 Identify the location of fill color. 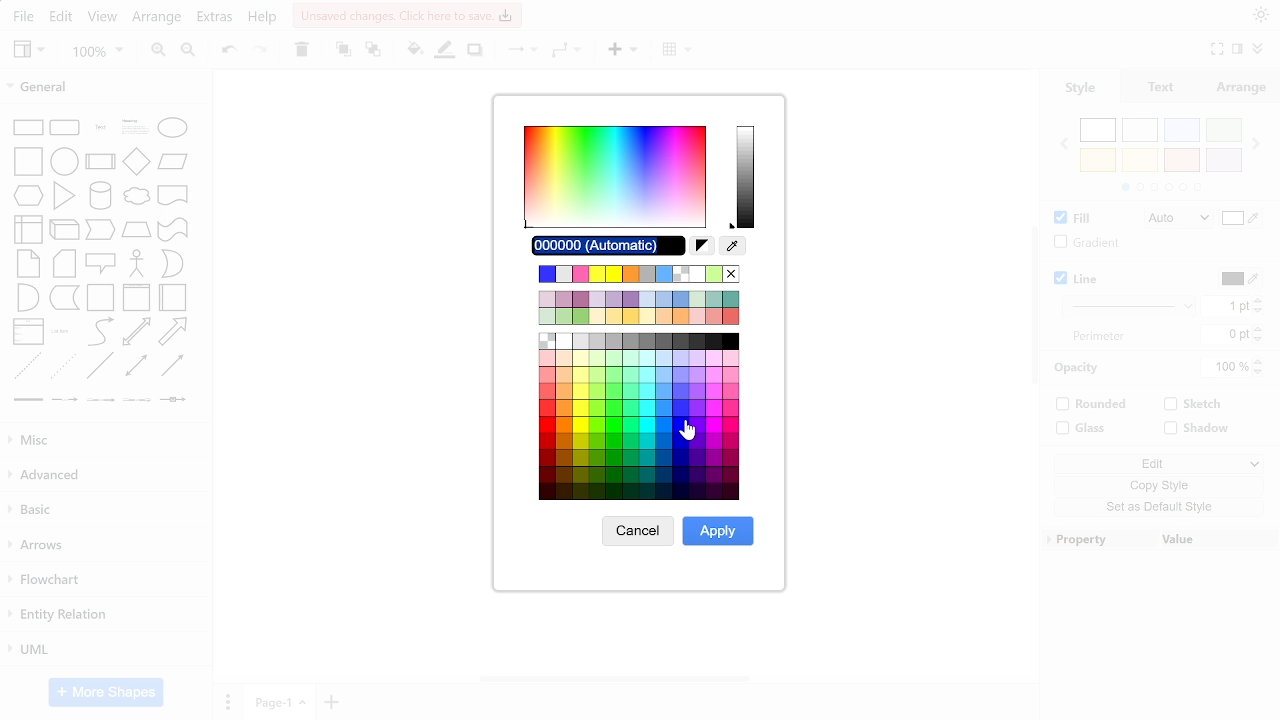
(414, 51).